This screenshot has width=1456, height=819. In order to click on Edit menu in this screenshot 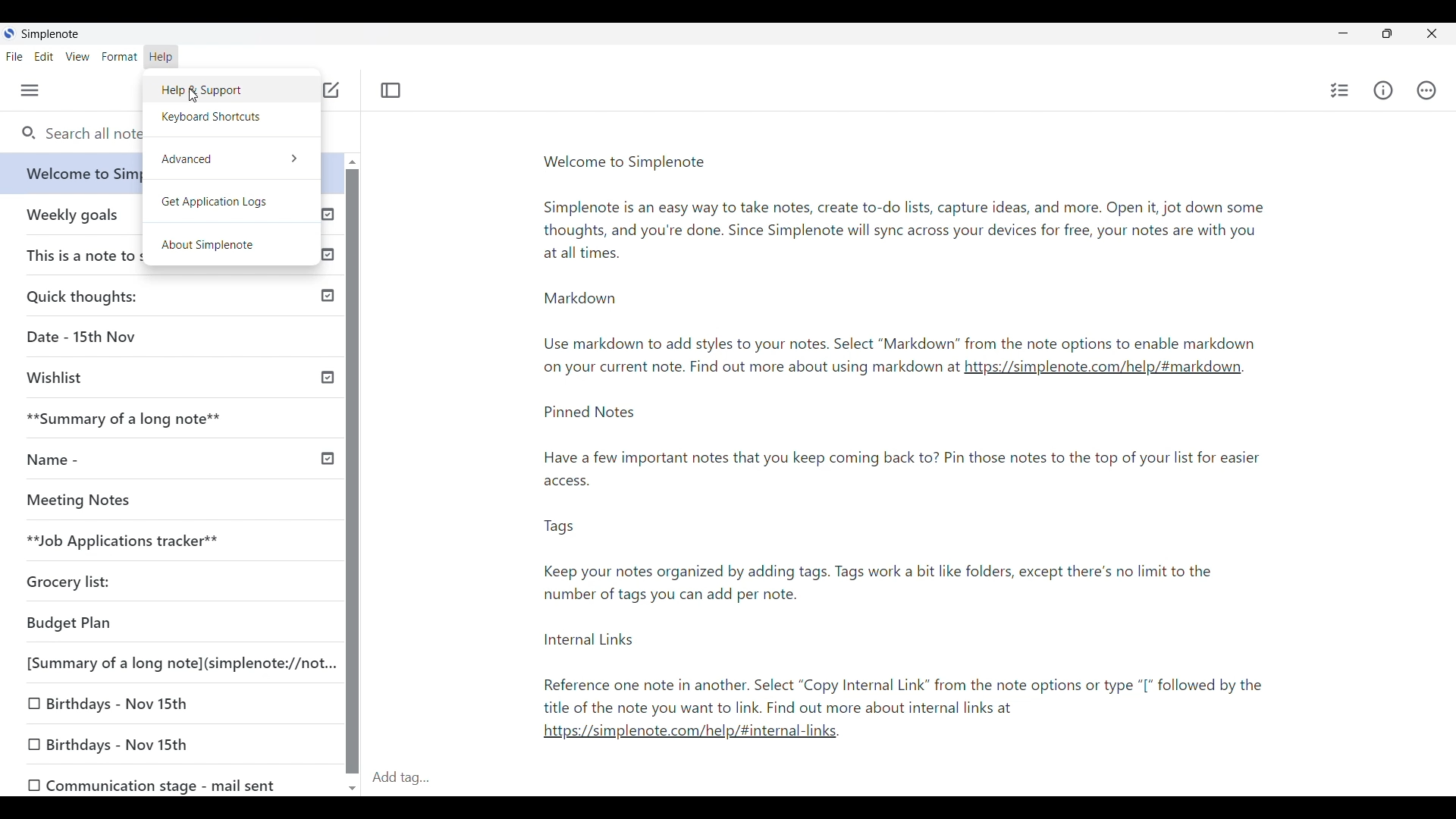, I will do `click(44, 57)`.